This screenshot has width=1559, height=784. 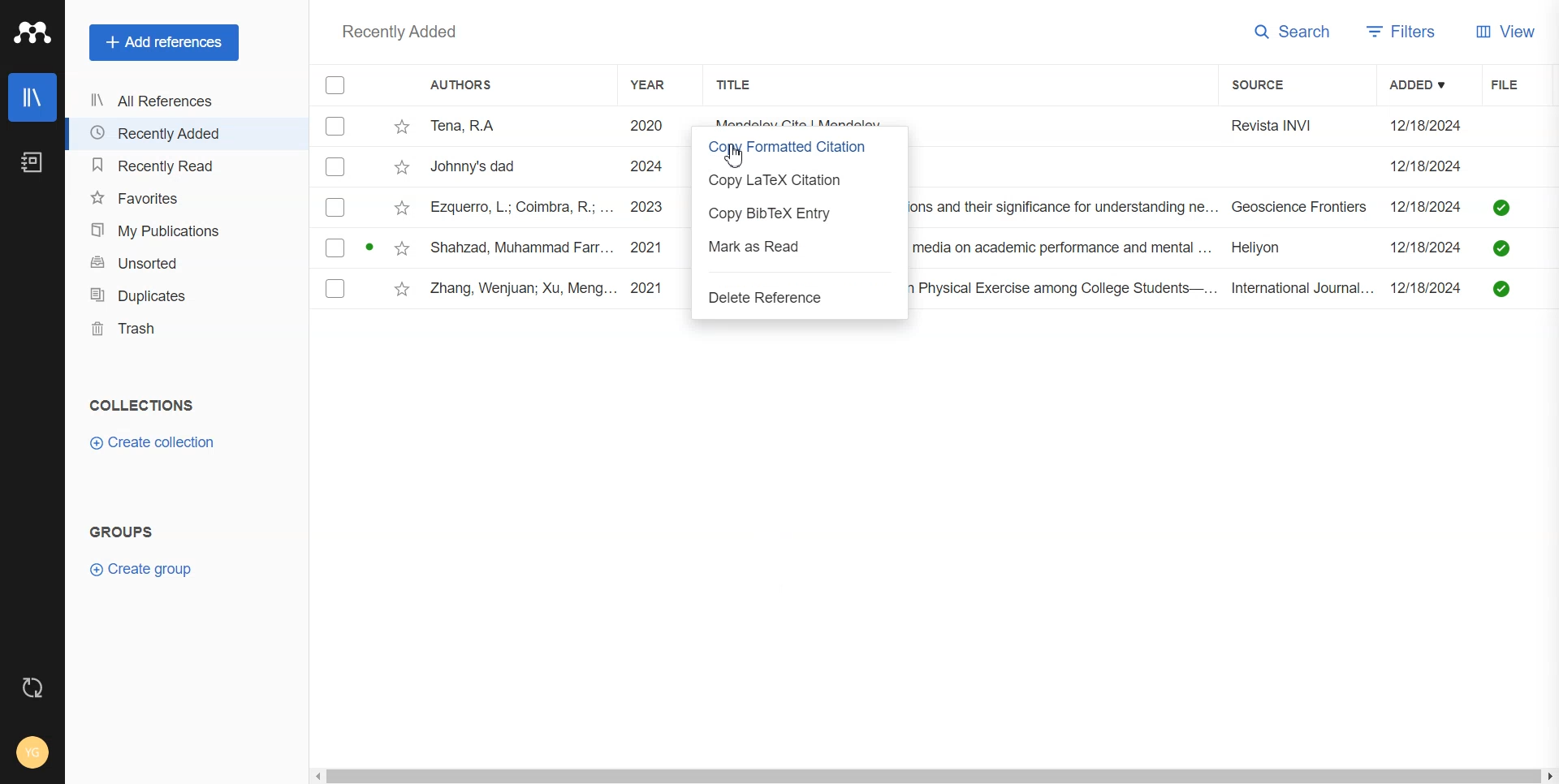 What do you see at coordinates (122, 531) in the screenshot?
I see `GROUPS` at bounding box center [122, 531].